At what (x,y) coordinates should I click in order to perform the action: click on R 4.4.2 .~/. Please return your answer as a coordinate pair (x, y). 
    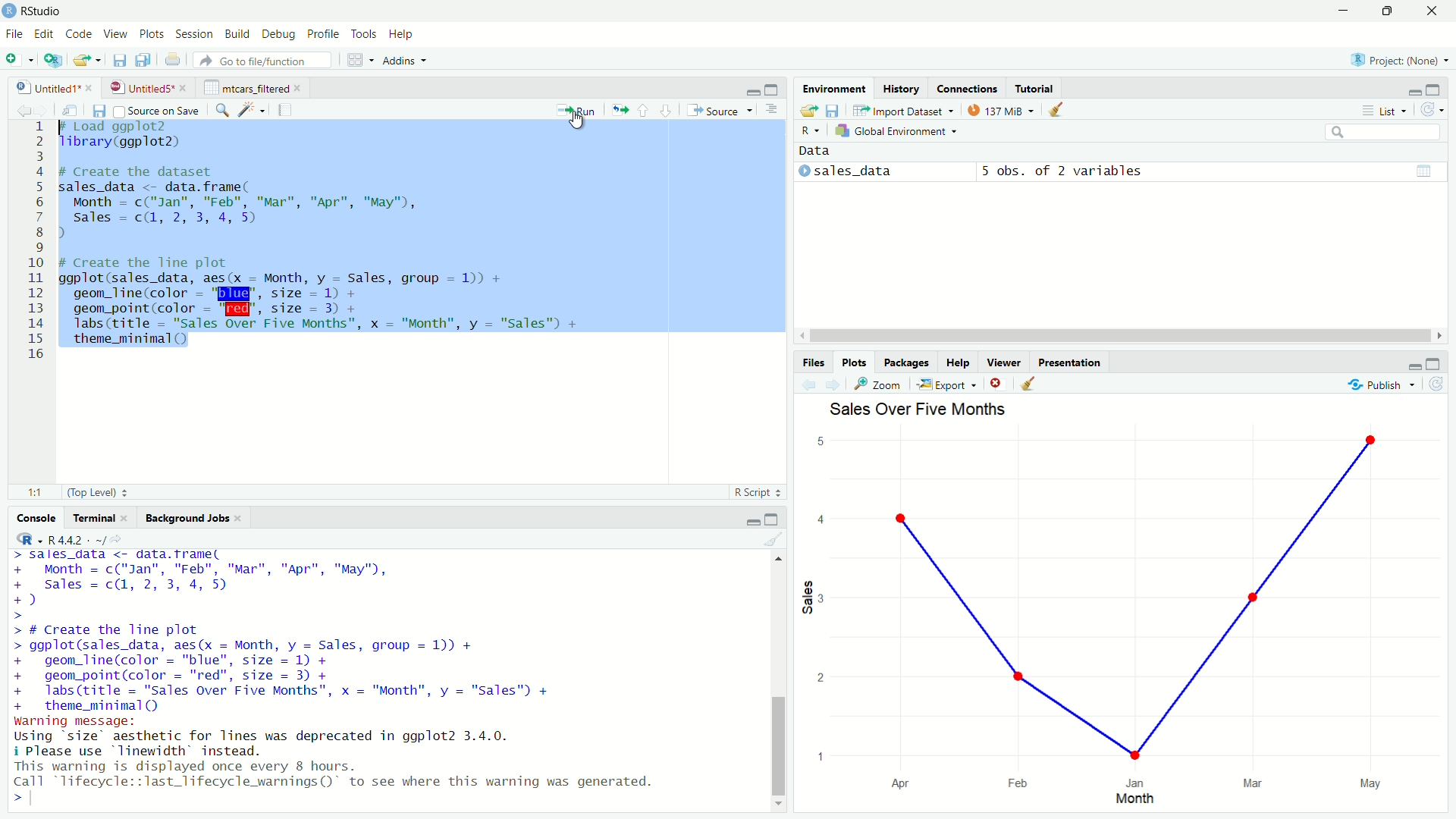
    Looking at the image, I should click on (77, 540).